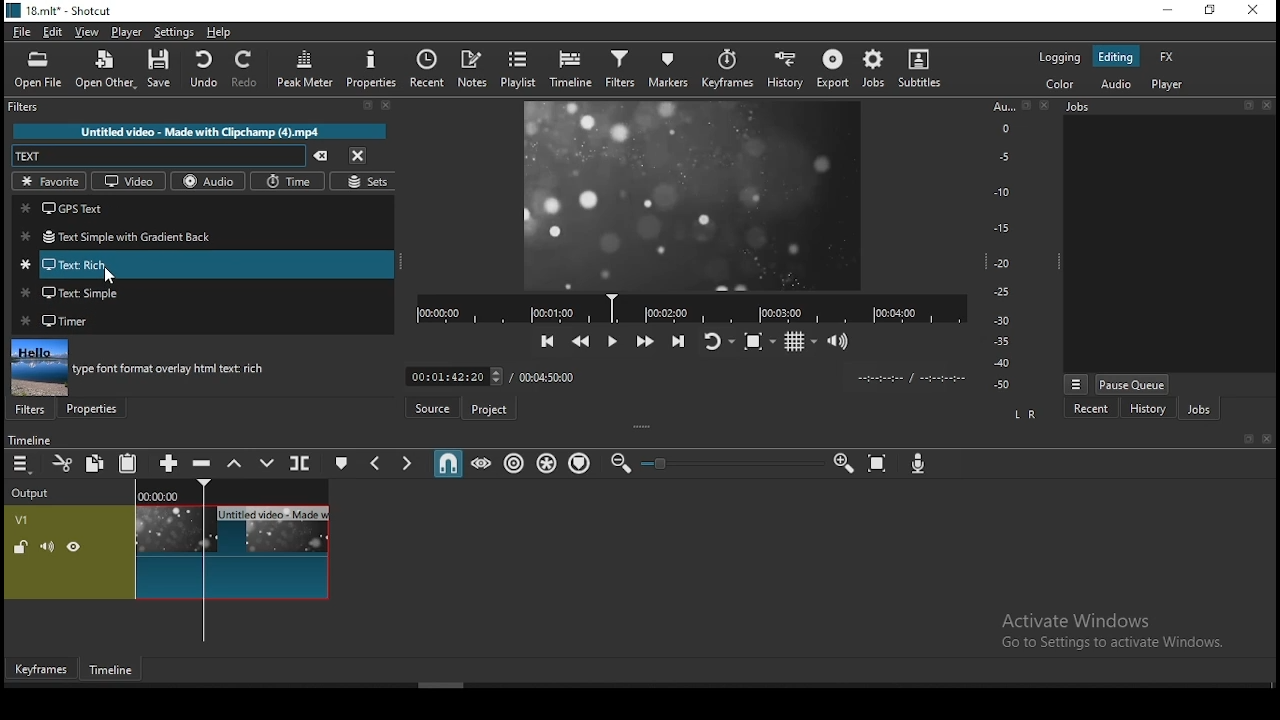 The image size is (1280, 720). I want to click on Cursor, so click(110, 274).